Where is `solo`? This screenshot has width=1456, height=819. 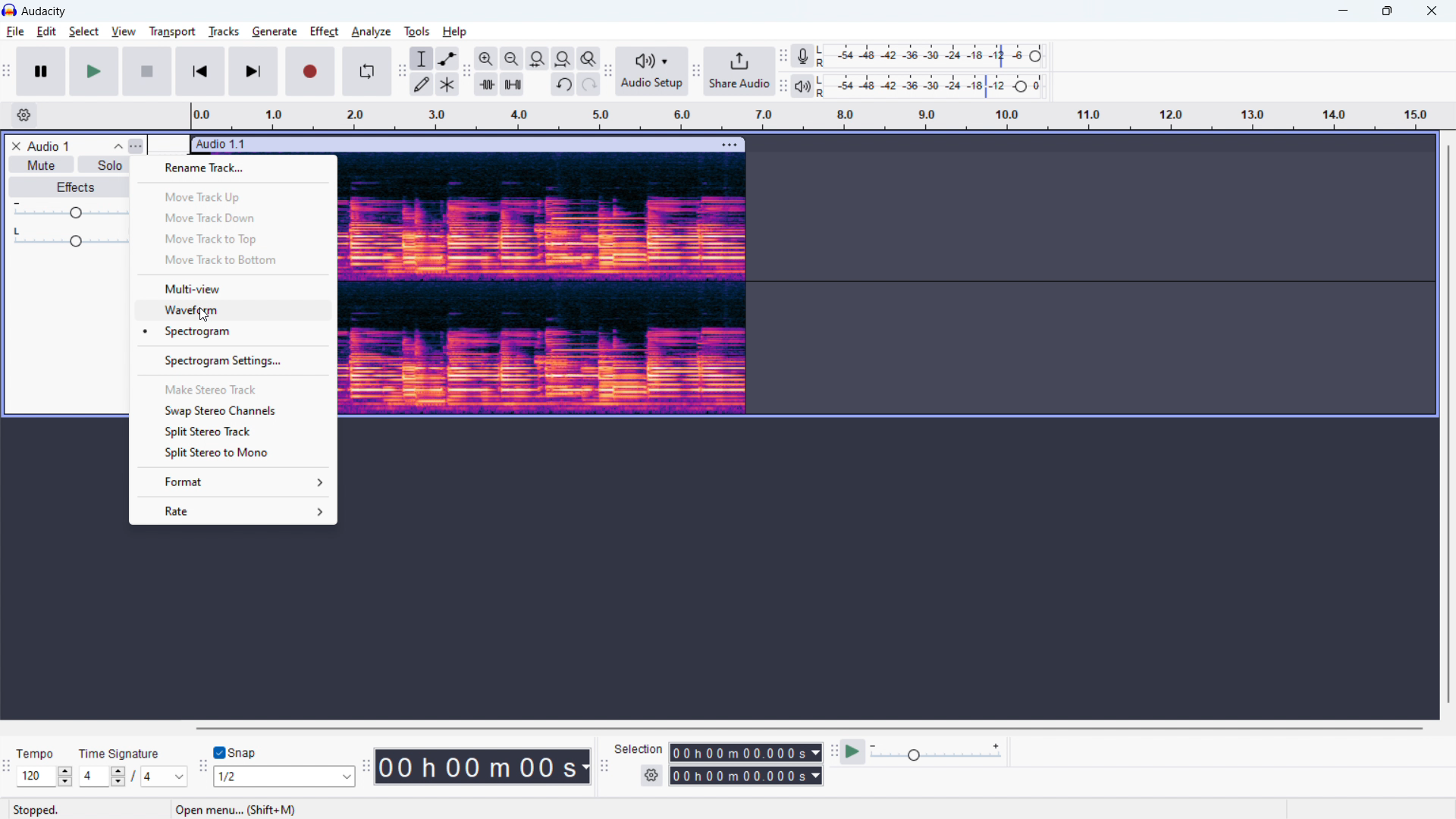 solo is located at coordinates (110, 165).